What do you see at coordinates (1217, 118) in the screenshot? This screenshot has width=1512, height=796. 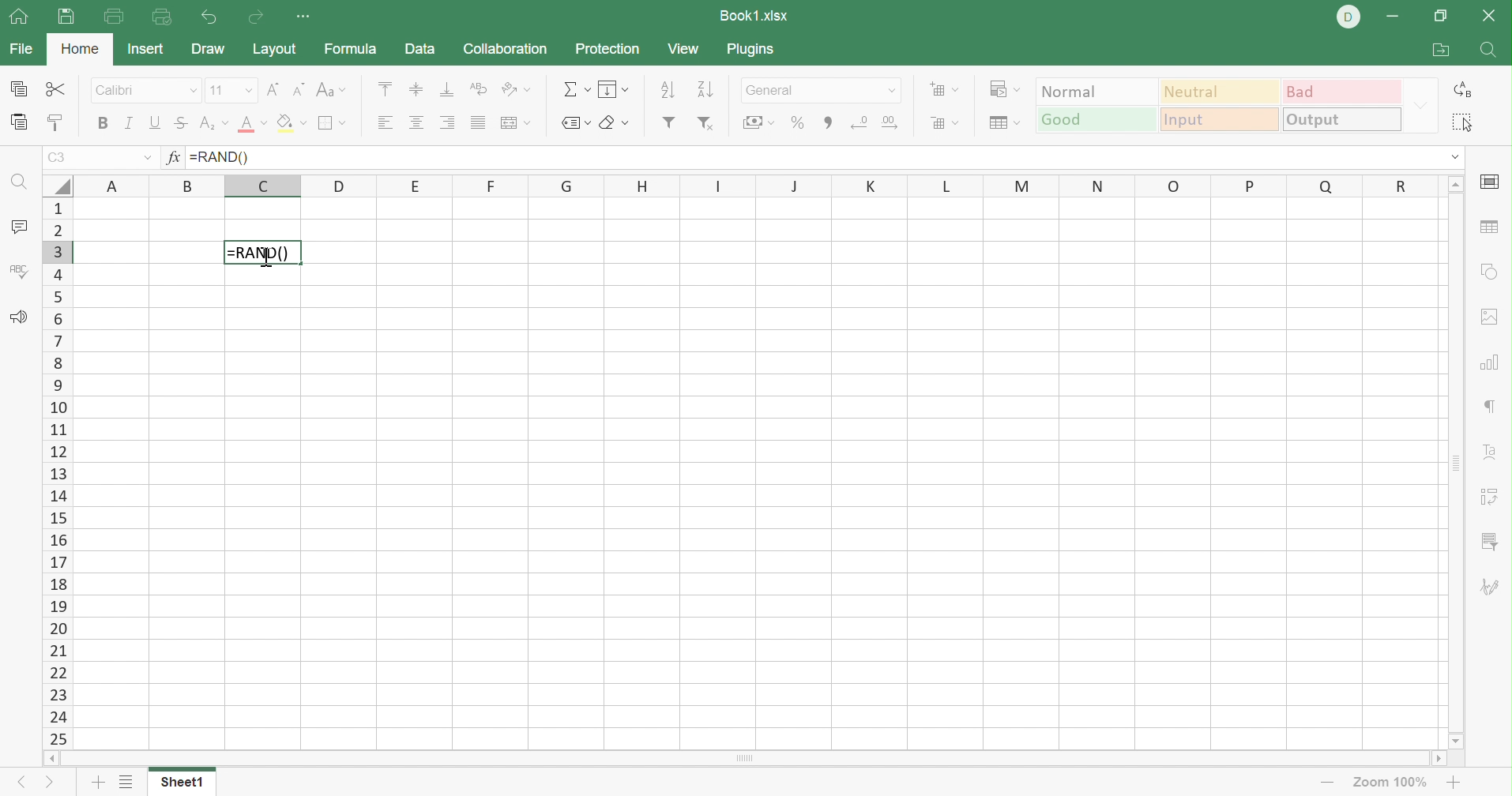 I see `Input` at bounding box center [1217, 118].